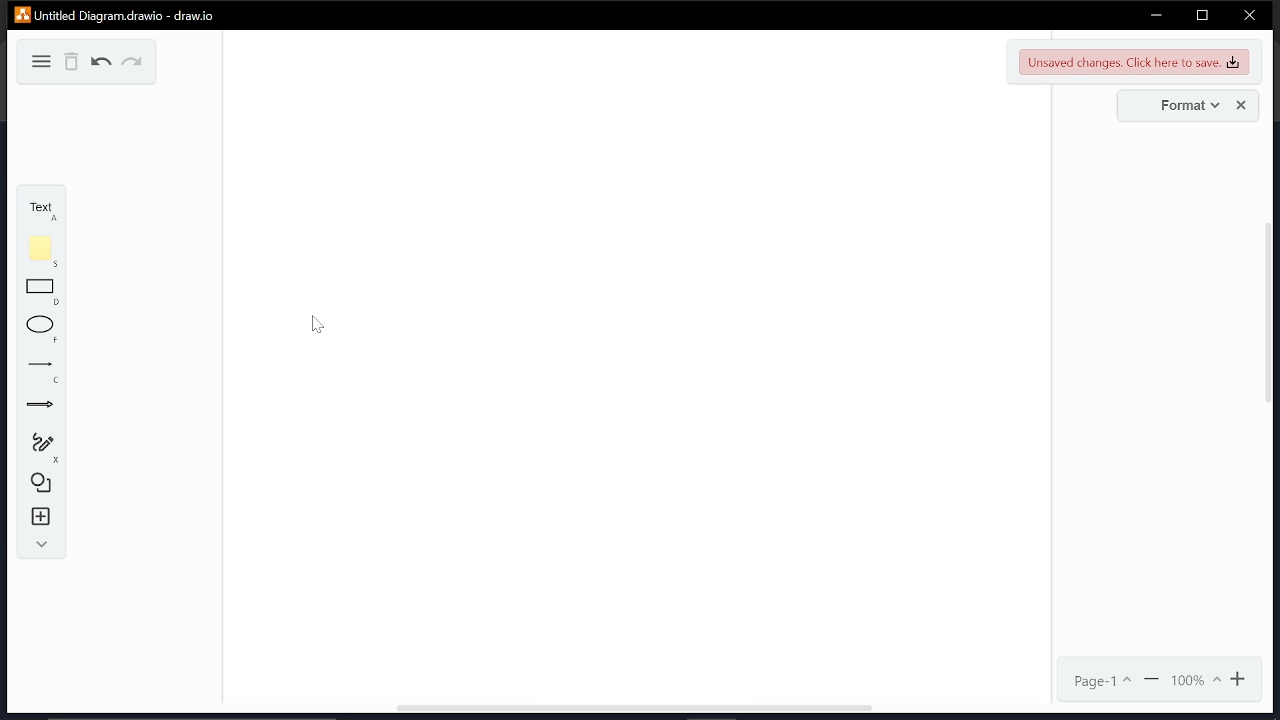 The height and width of the screenshot is (720, 1280). Describe the element at coordinates (634, 710) in the screenshot. I see `Horizontal scrollbar` at that location.